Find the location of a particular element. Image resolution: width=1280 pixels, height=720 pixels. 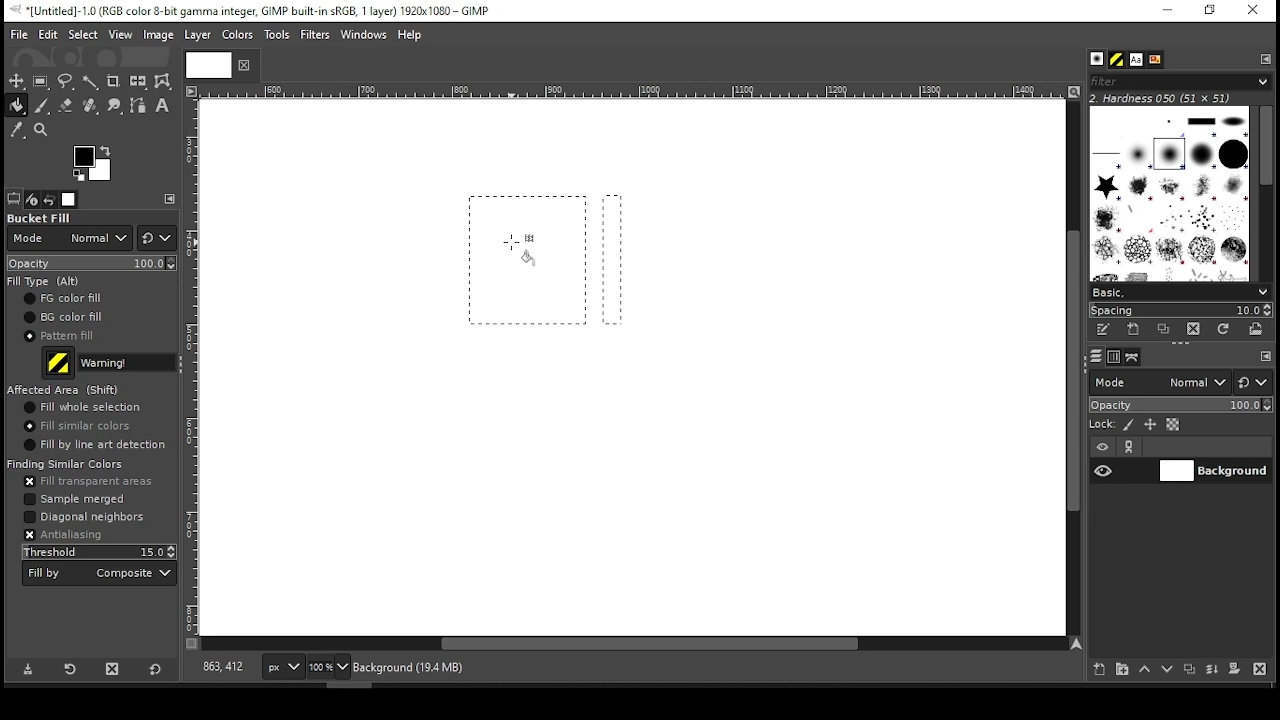

paint brush tool is located at coordinates (42, 105).